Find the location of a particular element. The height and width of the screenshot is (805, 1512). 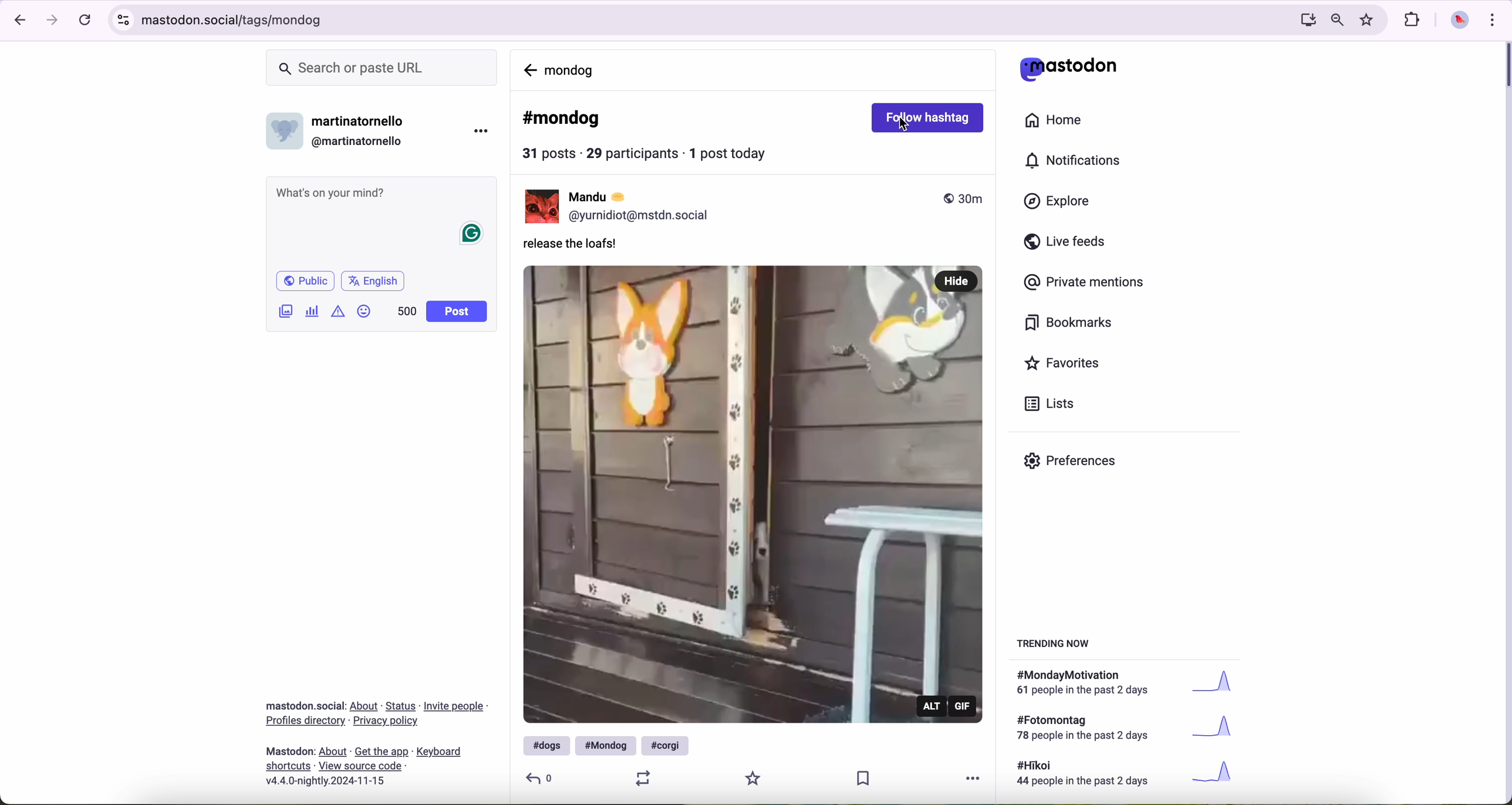

more options is located at coordinates (480, 133).